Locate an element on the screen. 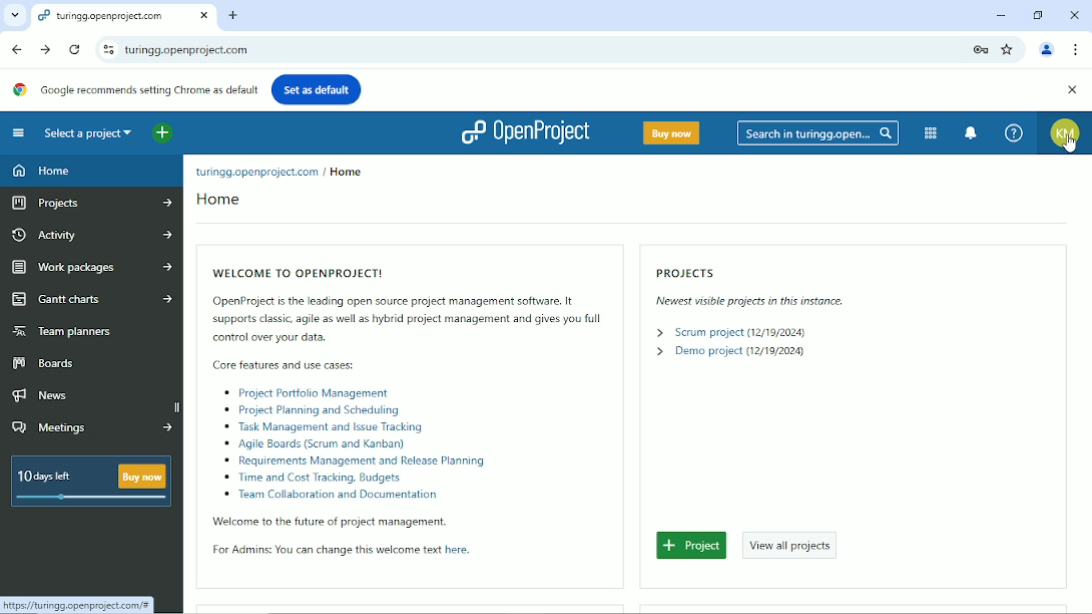 The width and height of the screenshot is (1092, 614). Projects is located at coordinates (93, 203).